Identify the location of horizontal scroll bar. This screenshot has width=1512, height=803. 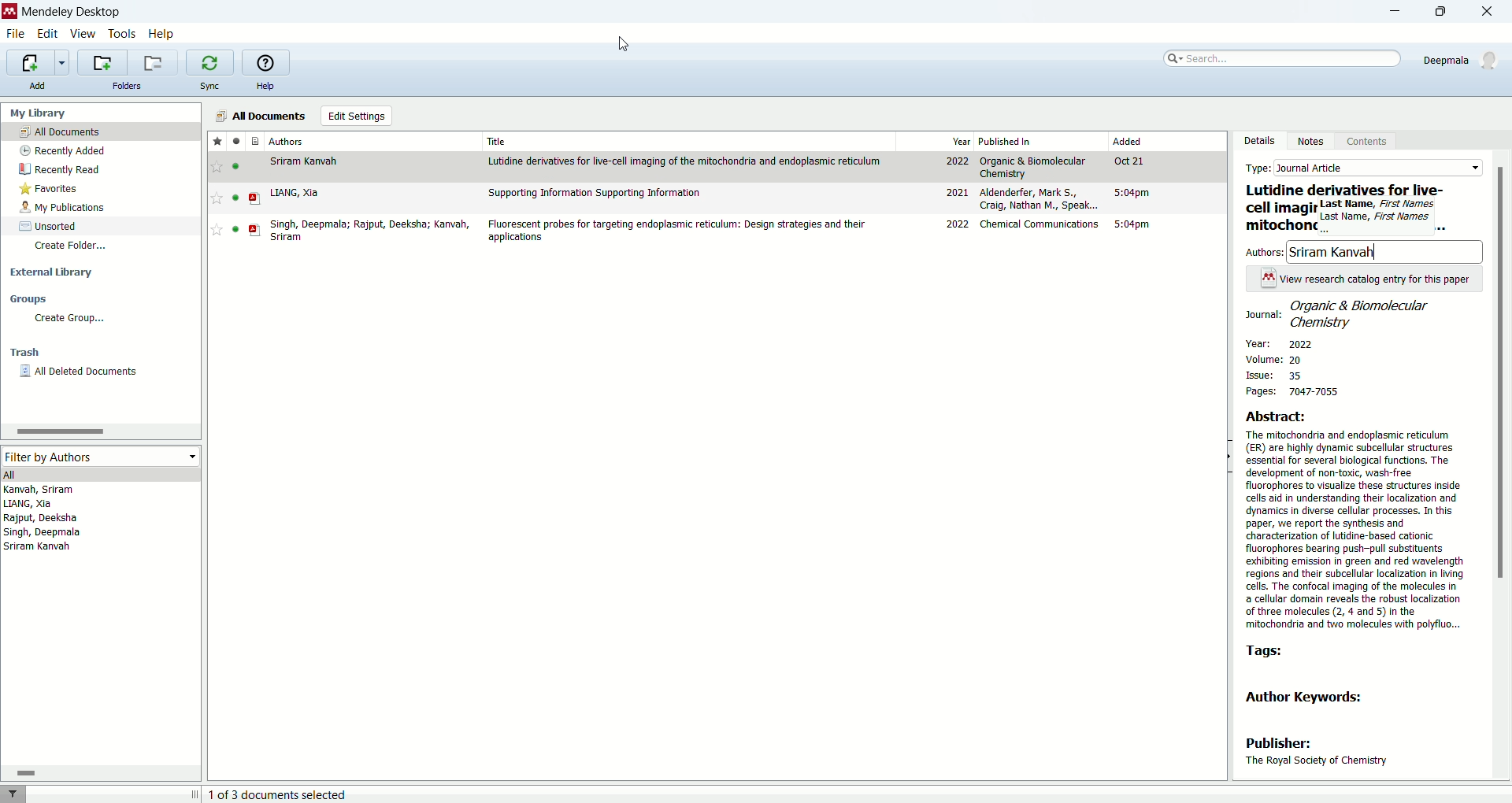
(102, 773).